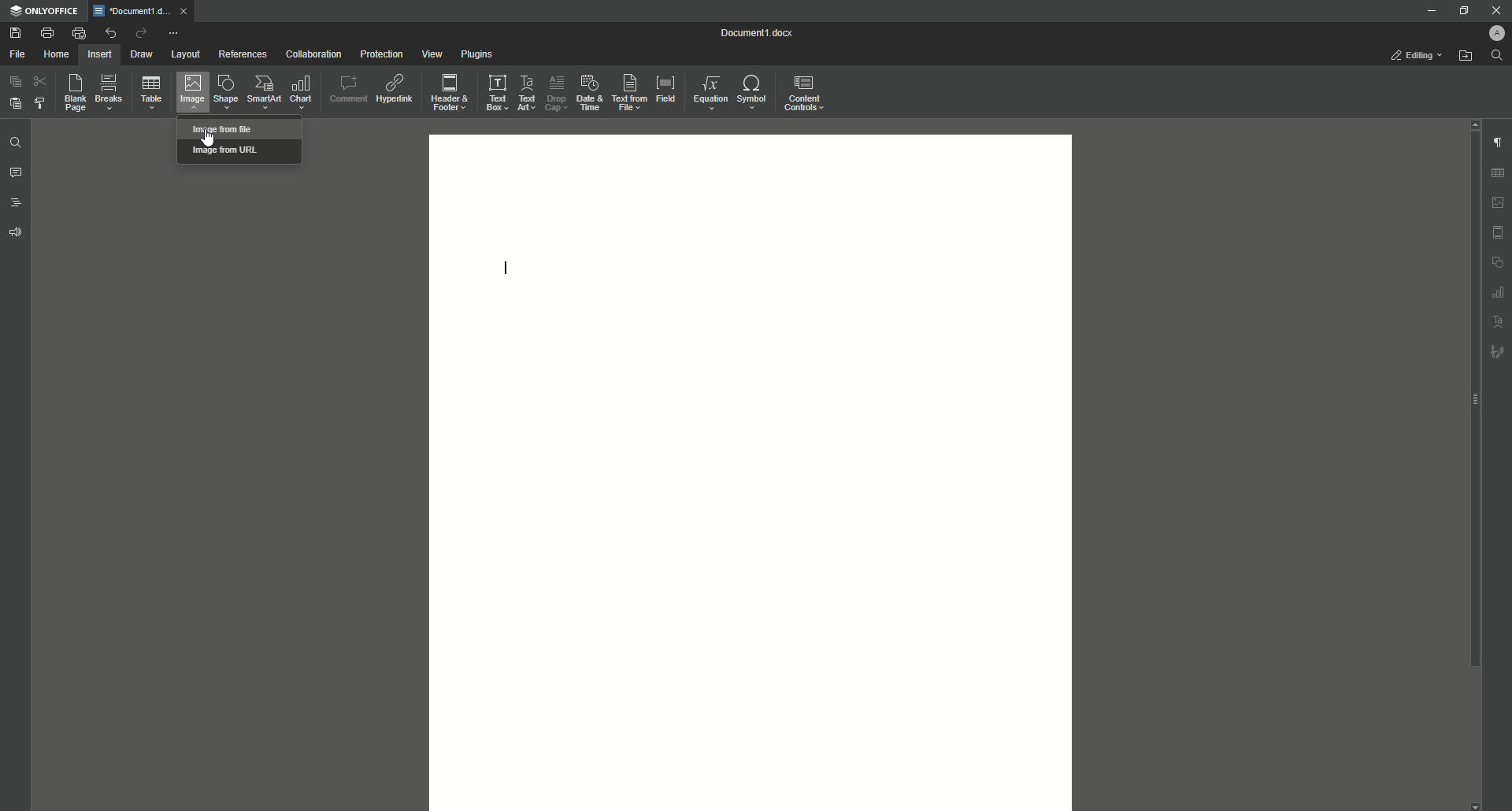 The height and width of the screenshot is (811, 1512). What do you see at coordinates (1499, 57) in the screenshot?
I see `Find` at bounding box center [1499, 57].